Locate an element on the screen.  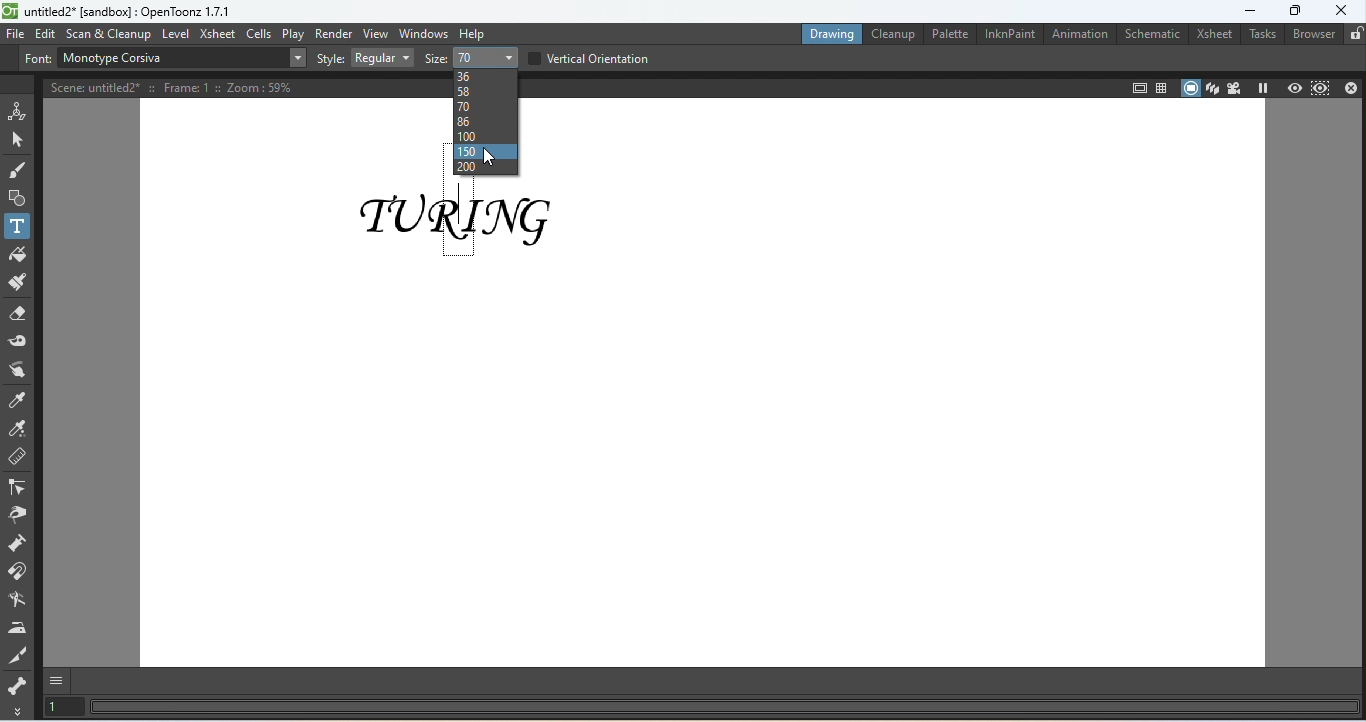
Browser is located at coordinates (1310, 37).